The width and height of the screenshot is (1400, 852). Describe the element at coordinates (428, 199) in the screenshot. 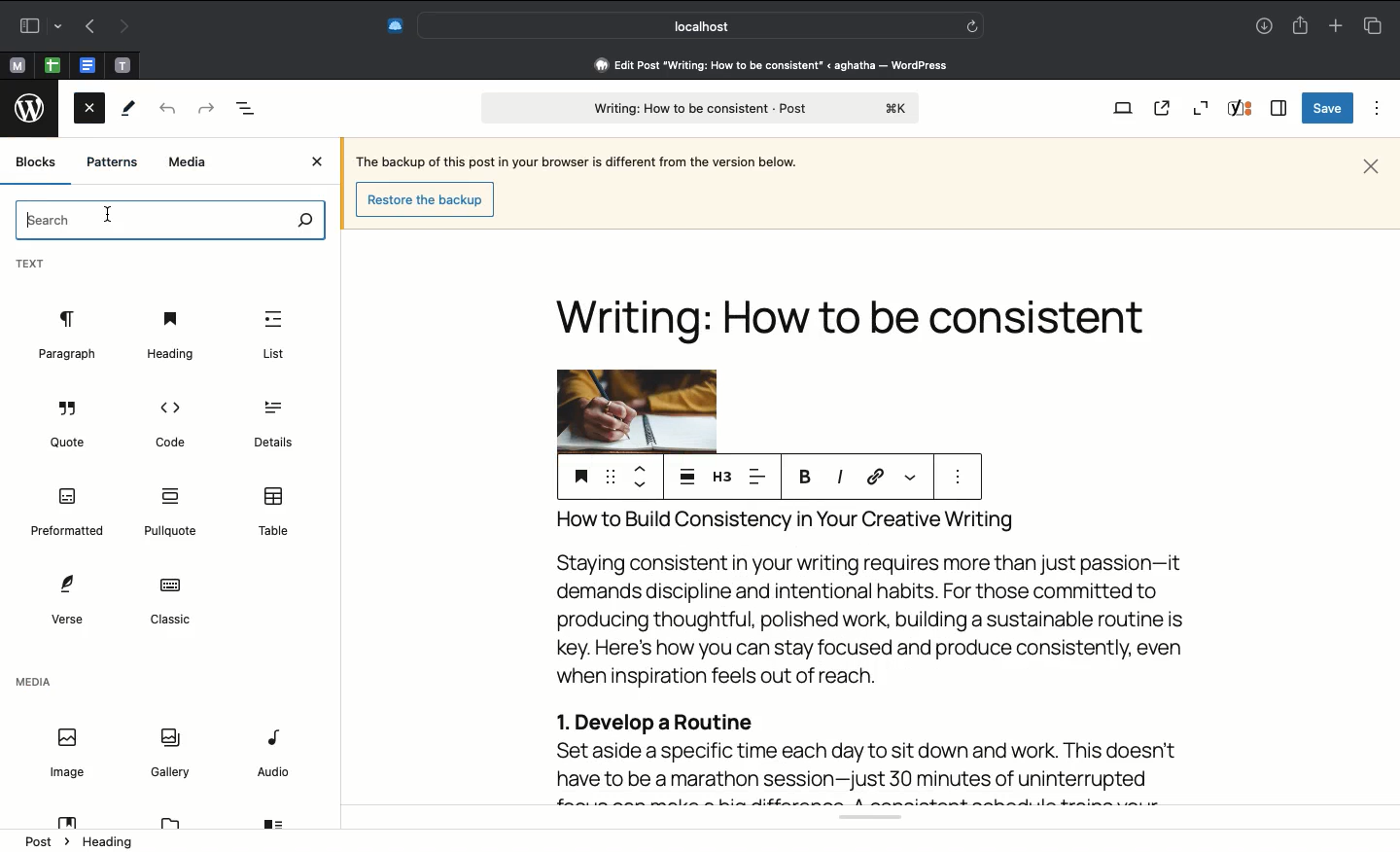

I see `restore the backup` at that location.